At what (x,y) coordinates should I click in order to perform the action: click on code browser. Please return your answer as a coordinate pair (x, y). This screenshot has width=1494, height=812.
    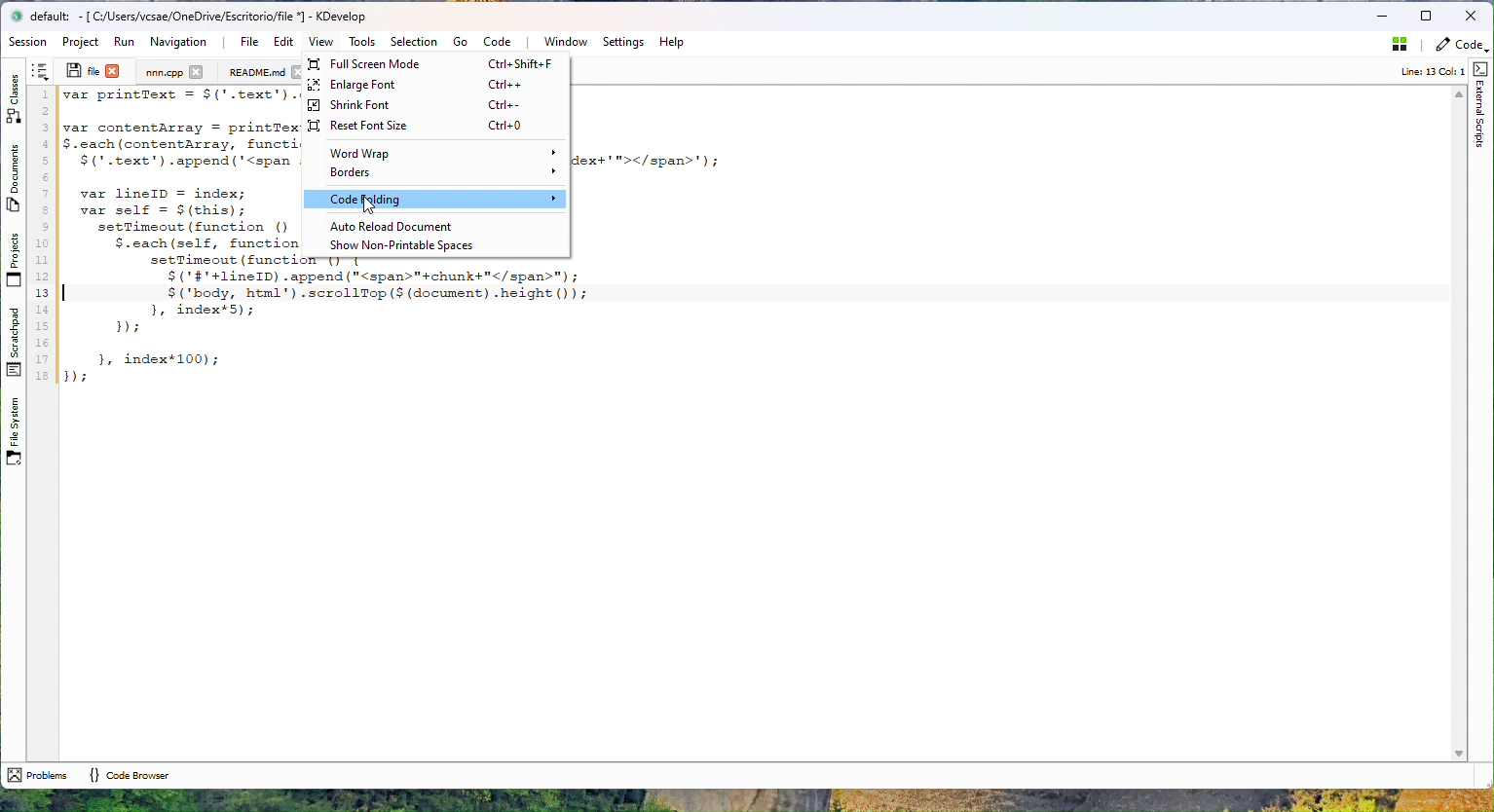
    Looking at the image, I should click on (129, 774).